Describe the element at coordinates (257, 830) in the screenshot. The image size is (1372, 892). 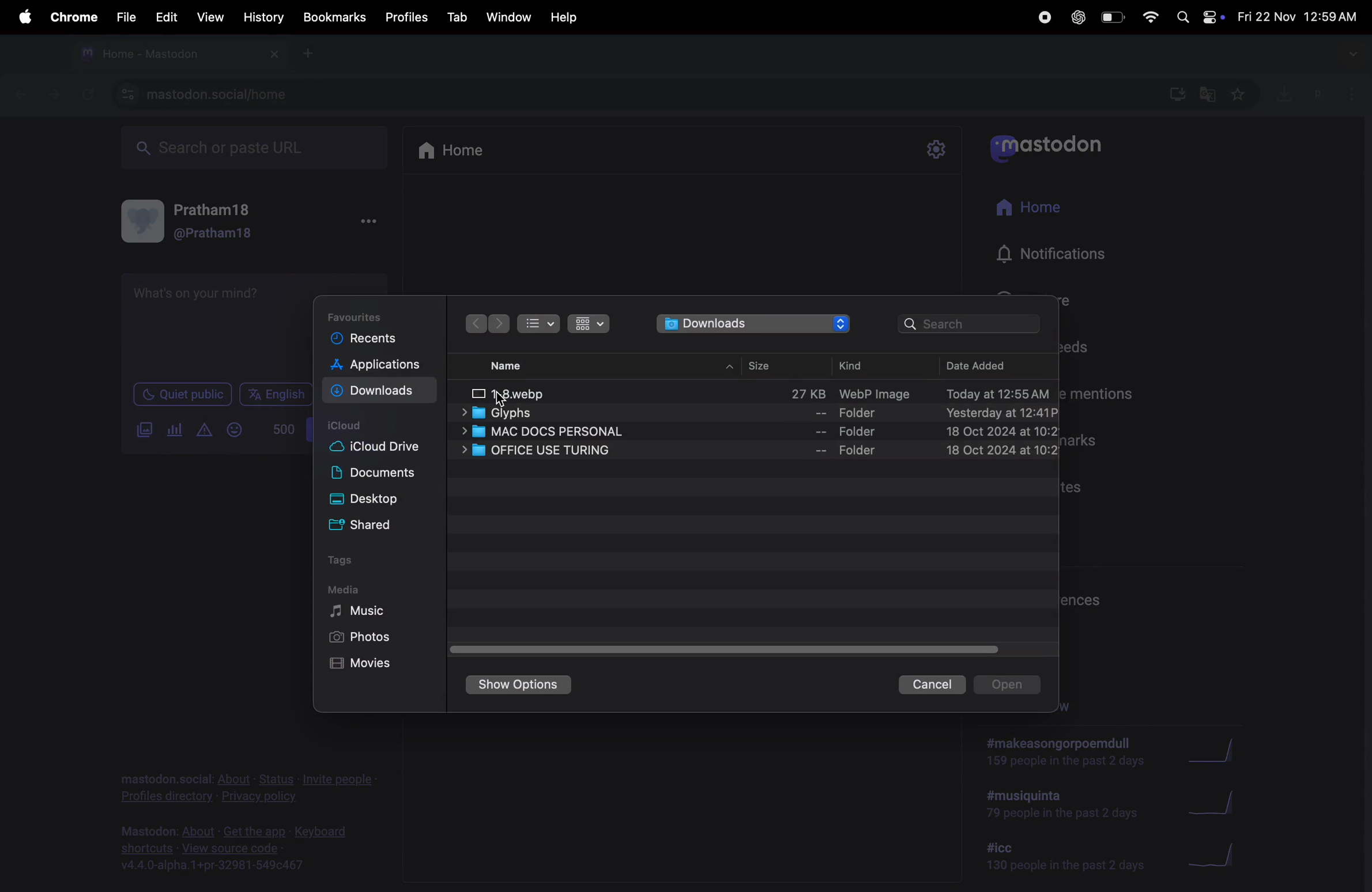
I see `get the app` at that location.